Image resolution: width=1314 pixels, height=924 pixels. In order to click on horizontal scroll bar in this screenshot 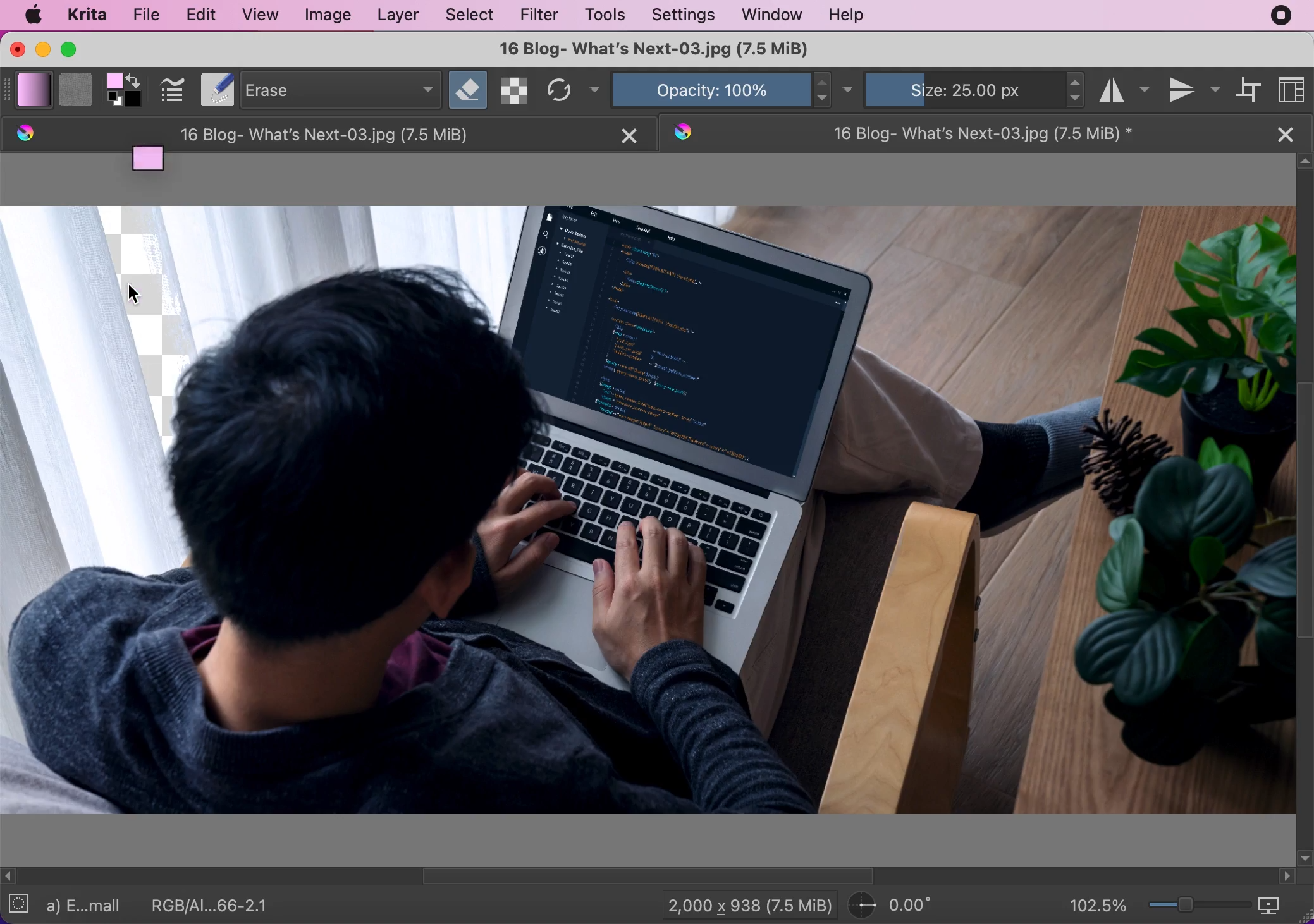, I will do `click(649, 877)`.